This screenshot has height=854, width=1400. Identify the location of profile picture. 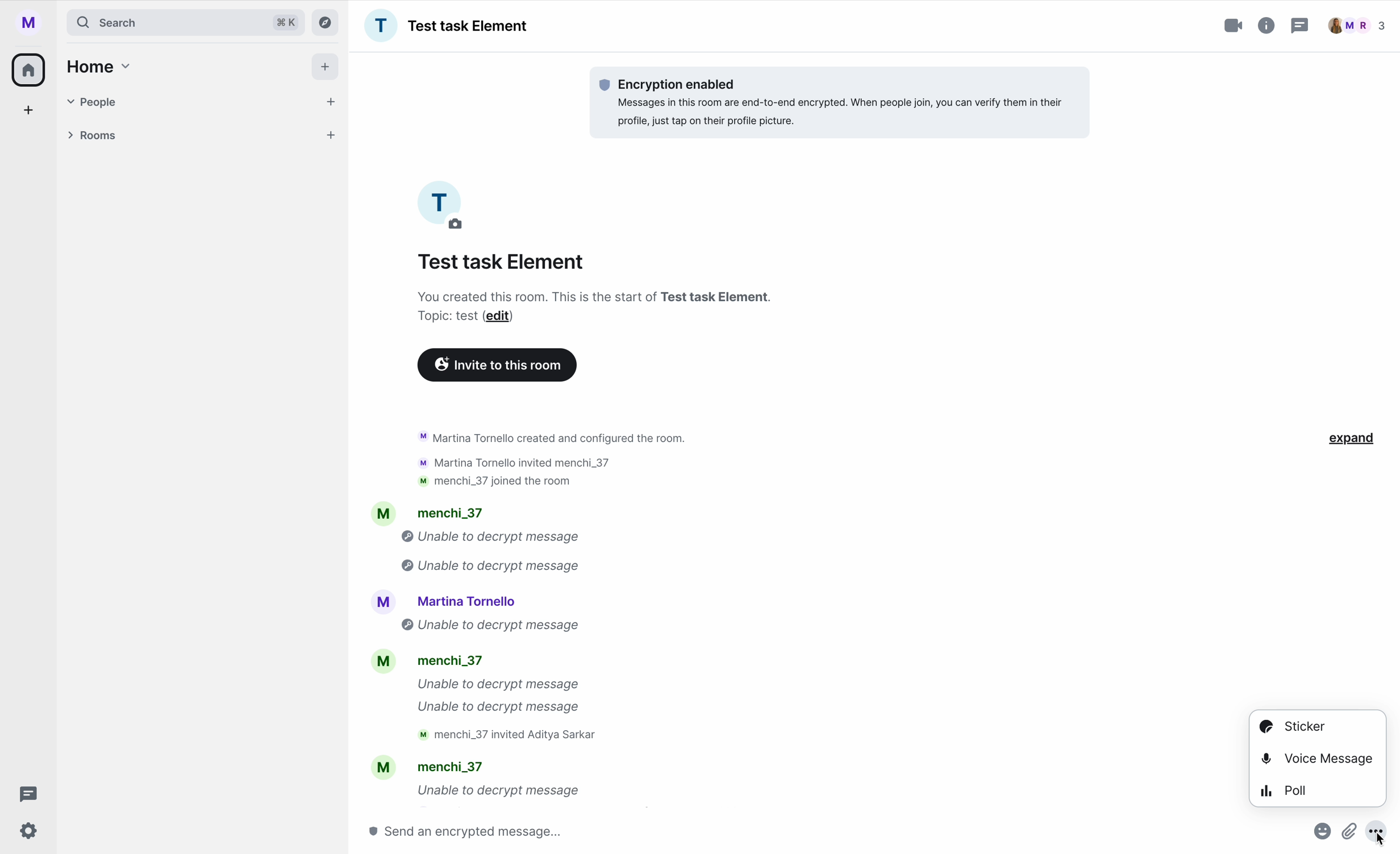
(445, 205).